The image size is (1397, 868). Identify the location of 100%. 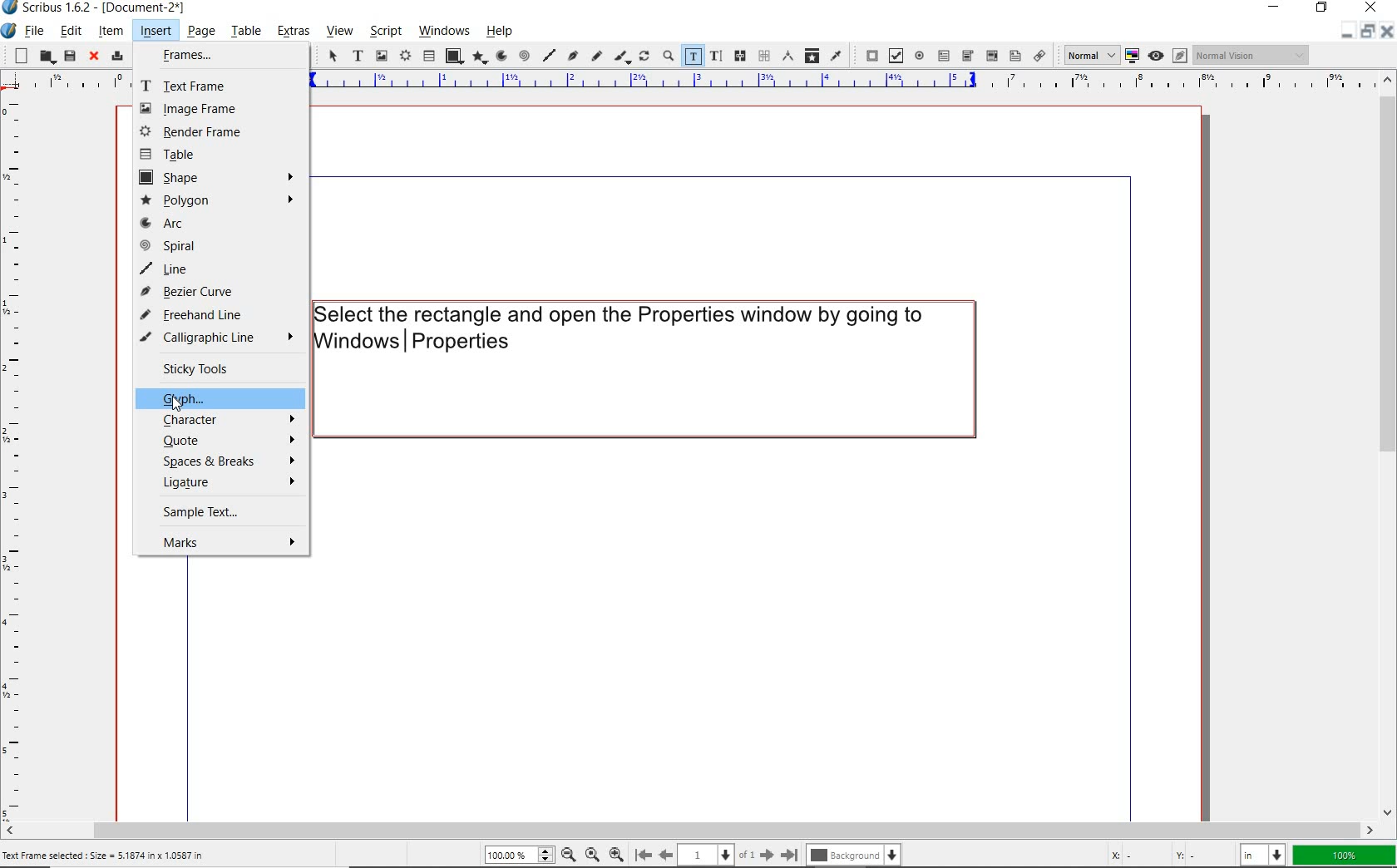
(1345, 856).